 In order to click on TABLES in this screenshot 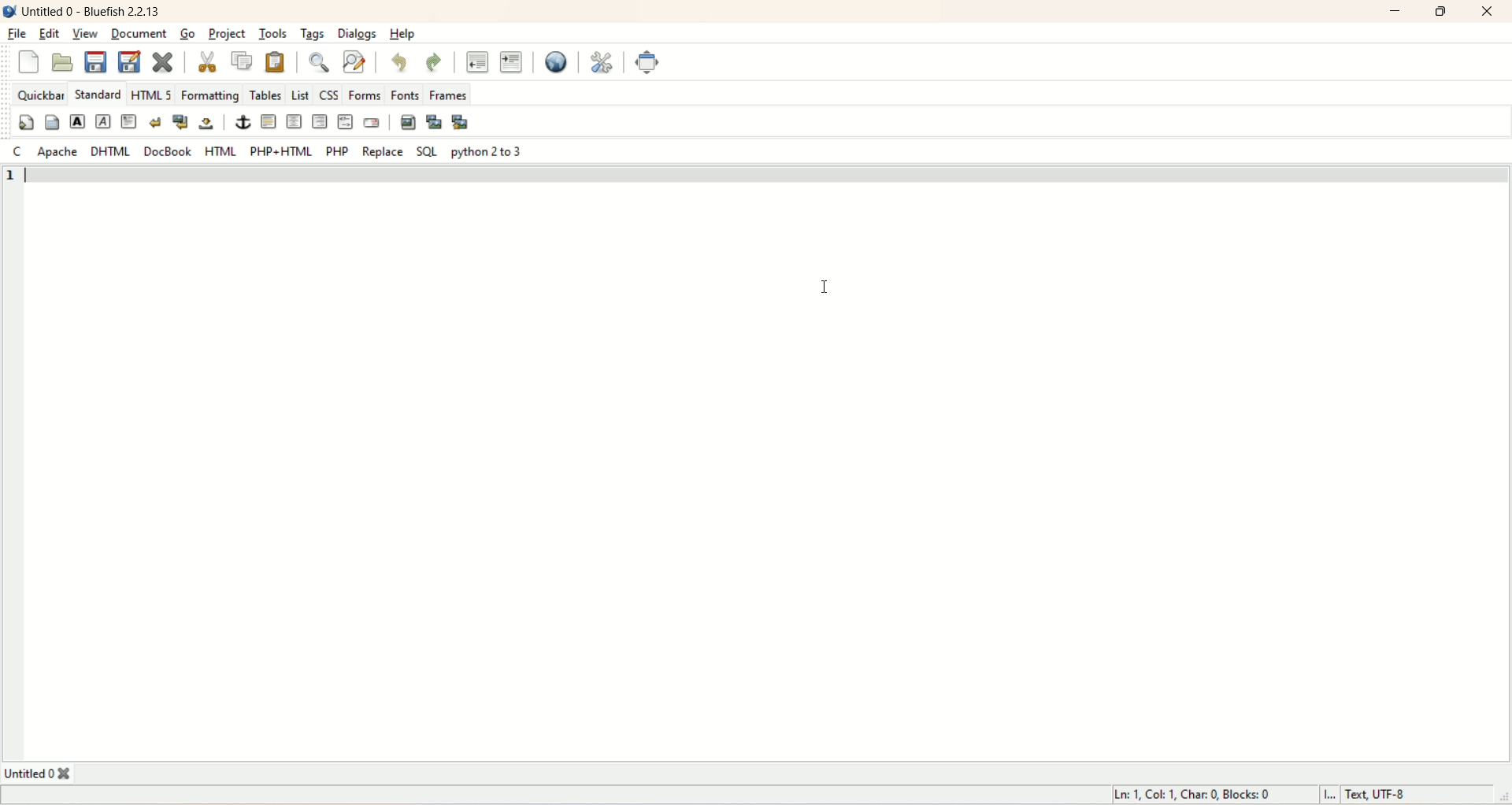, I will do `click(265, 94)`.